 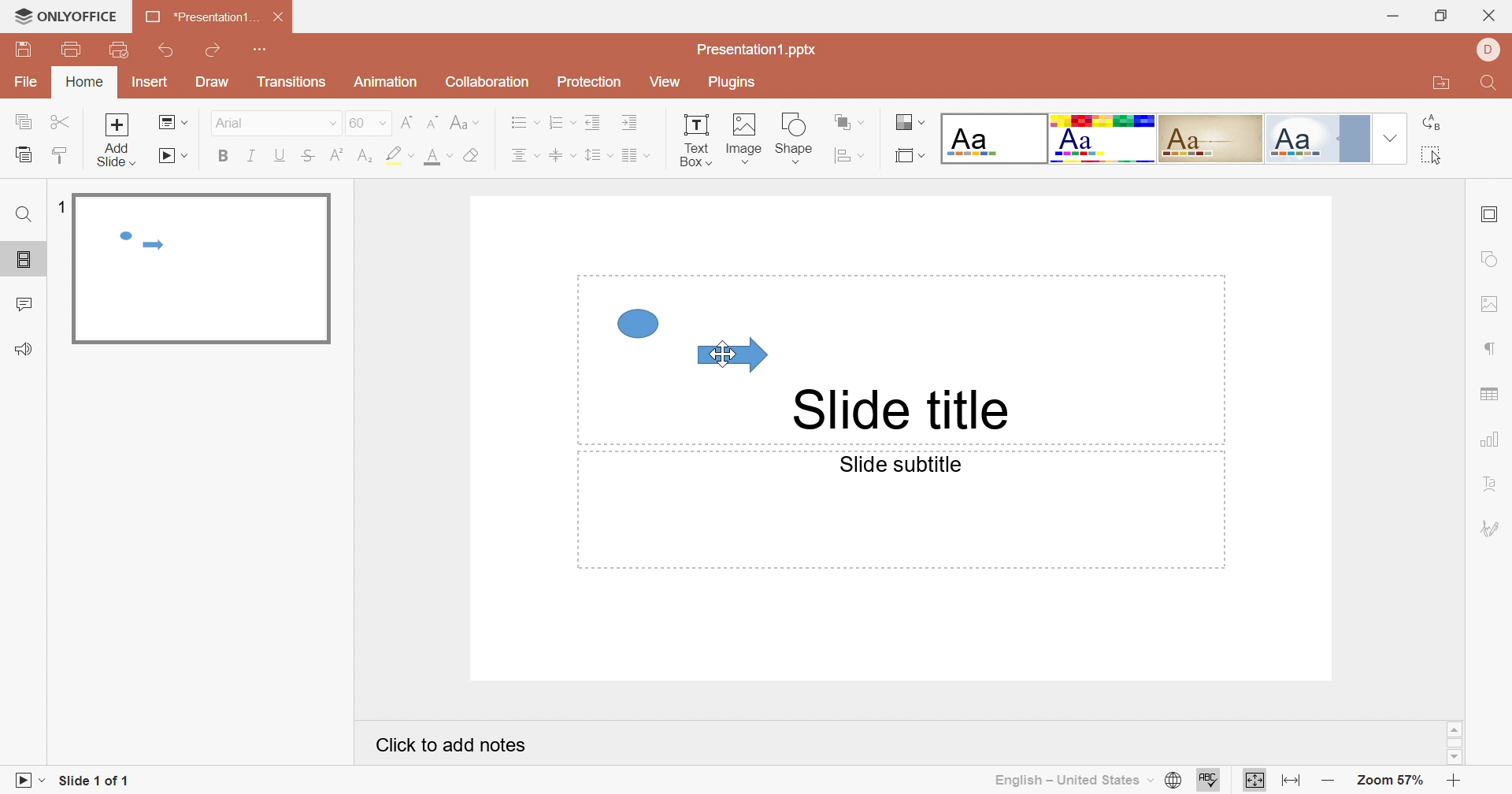 What do you see at coordinates (72, 50) in the screenshot?
I see `Print` at bounding box center [72, 50].